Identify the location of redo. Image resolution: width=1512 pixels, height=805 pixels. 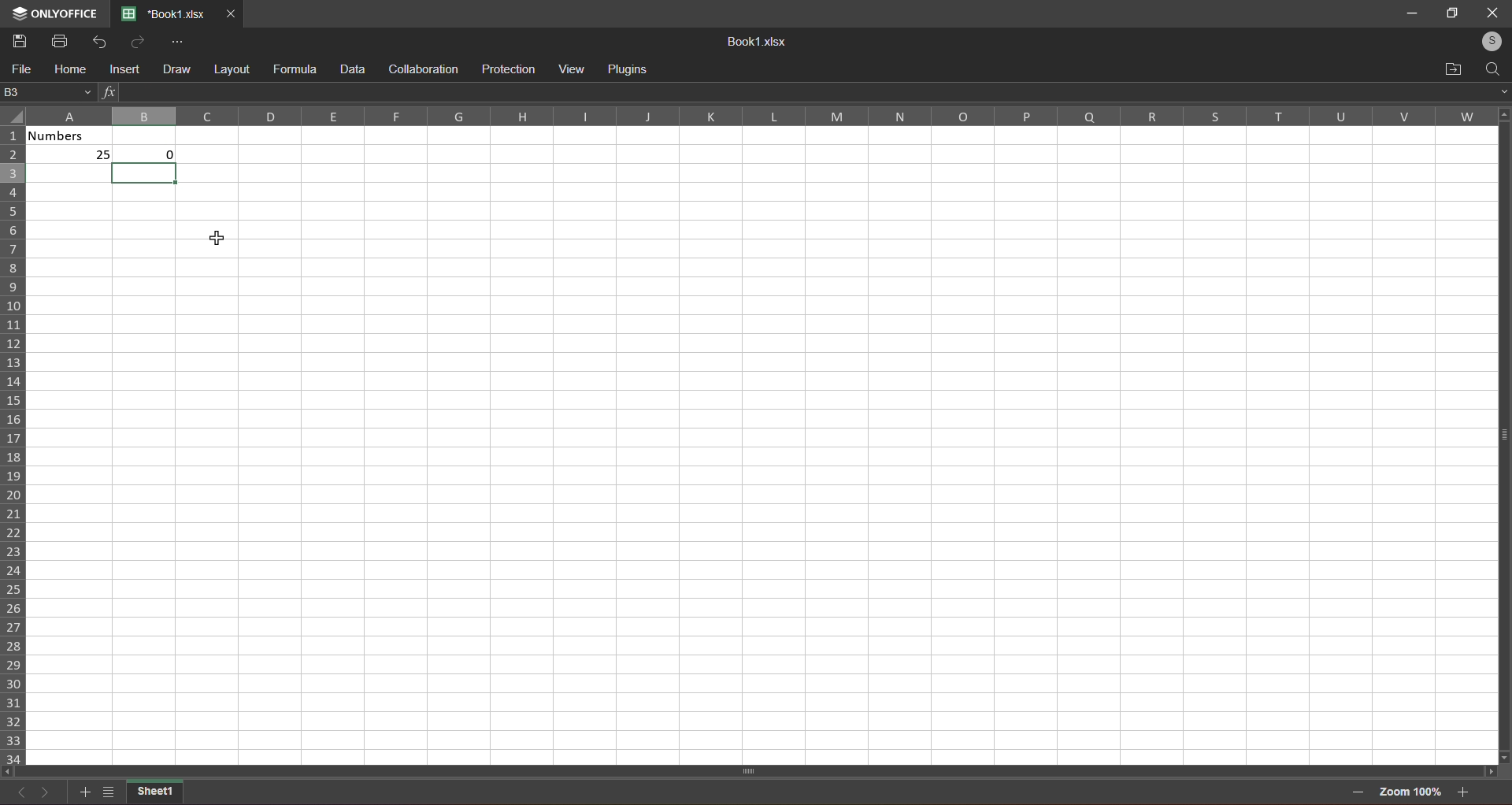
(135, 42).